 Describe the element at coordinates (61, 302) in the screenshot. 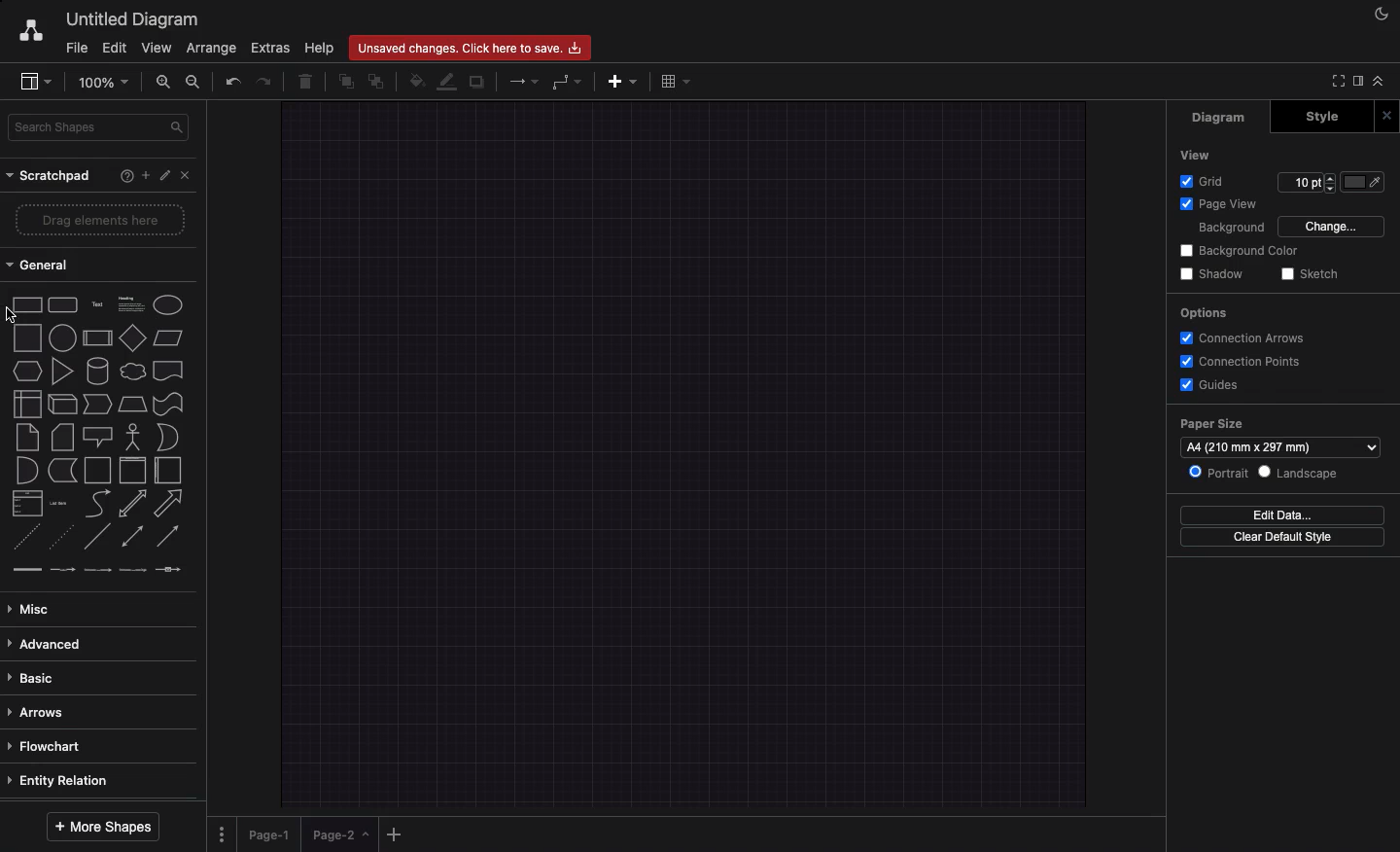

I see `rounded rectangle` at that location.